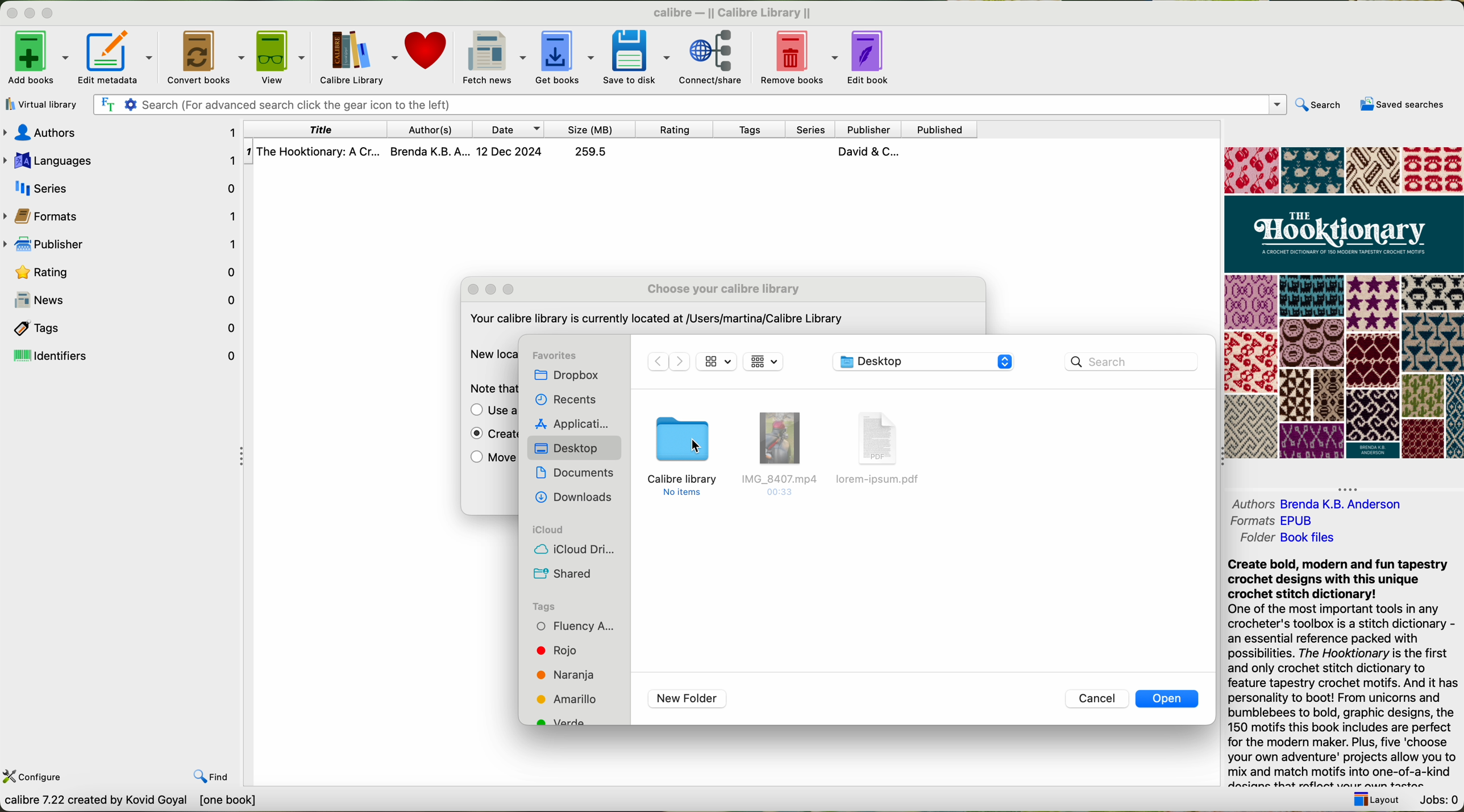 Image resolution: width=1464 pixels, height=812 pixels. I want to click on applications, so click(571, 422).